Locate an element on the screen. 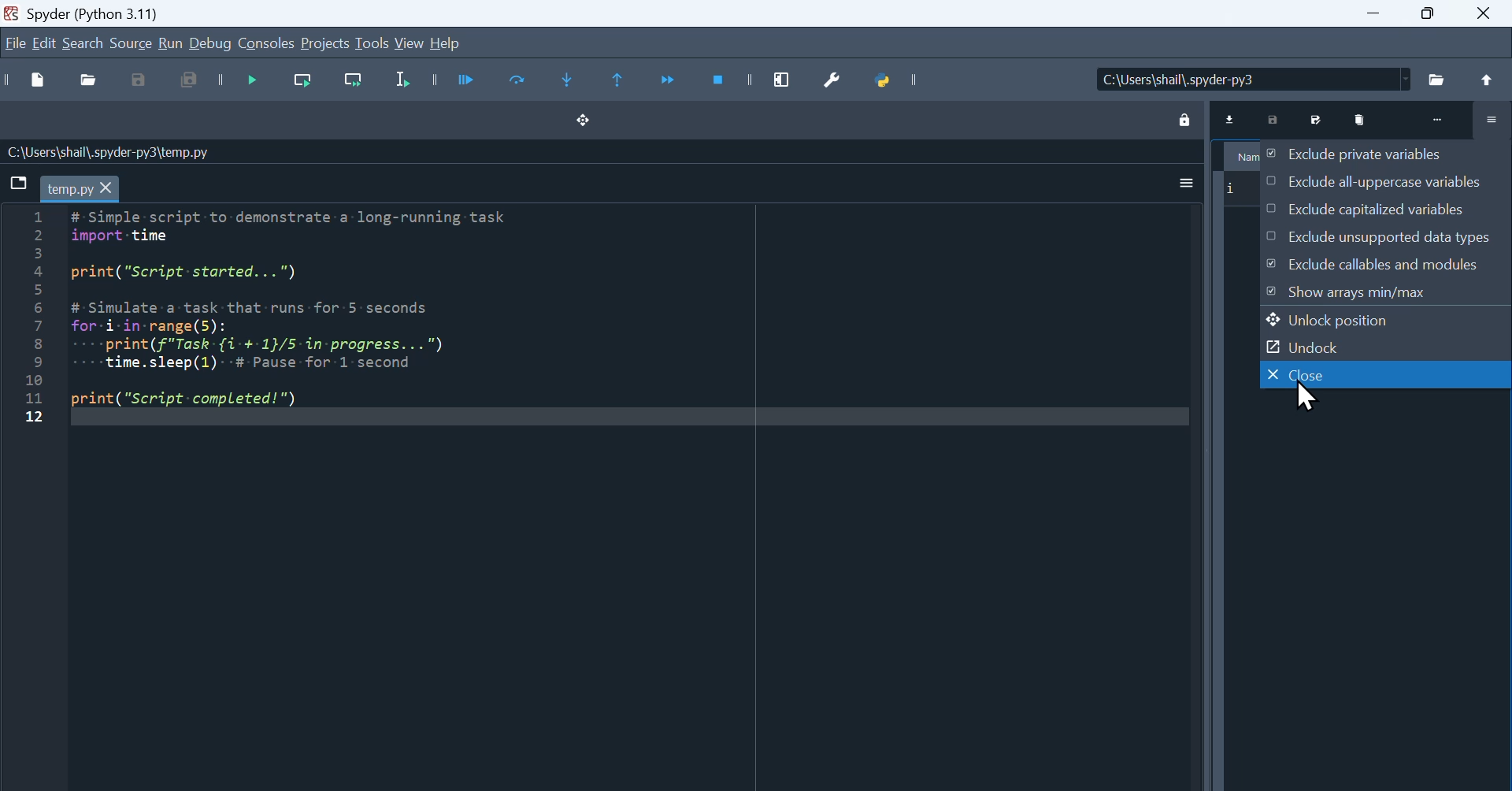 Image resolution: width=1512 pixels, height=791 pixels. Unlock position is located at coordinates (1386, 318).